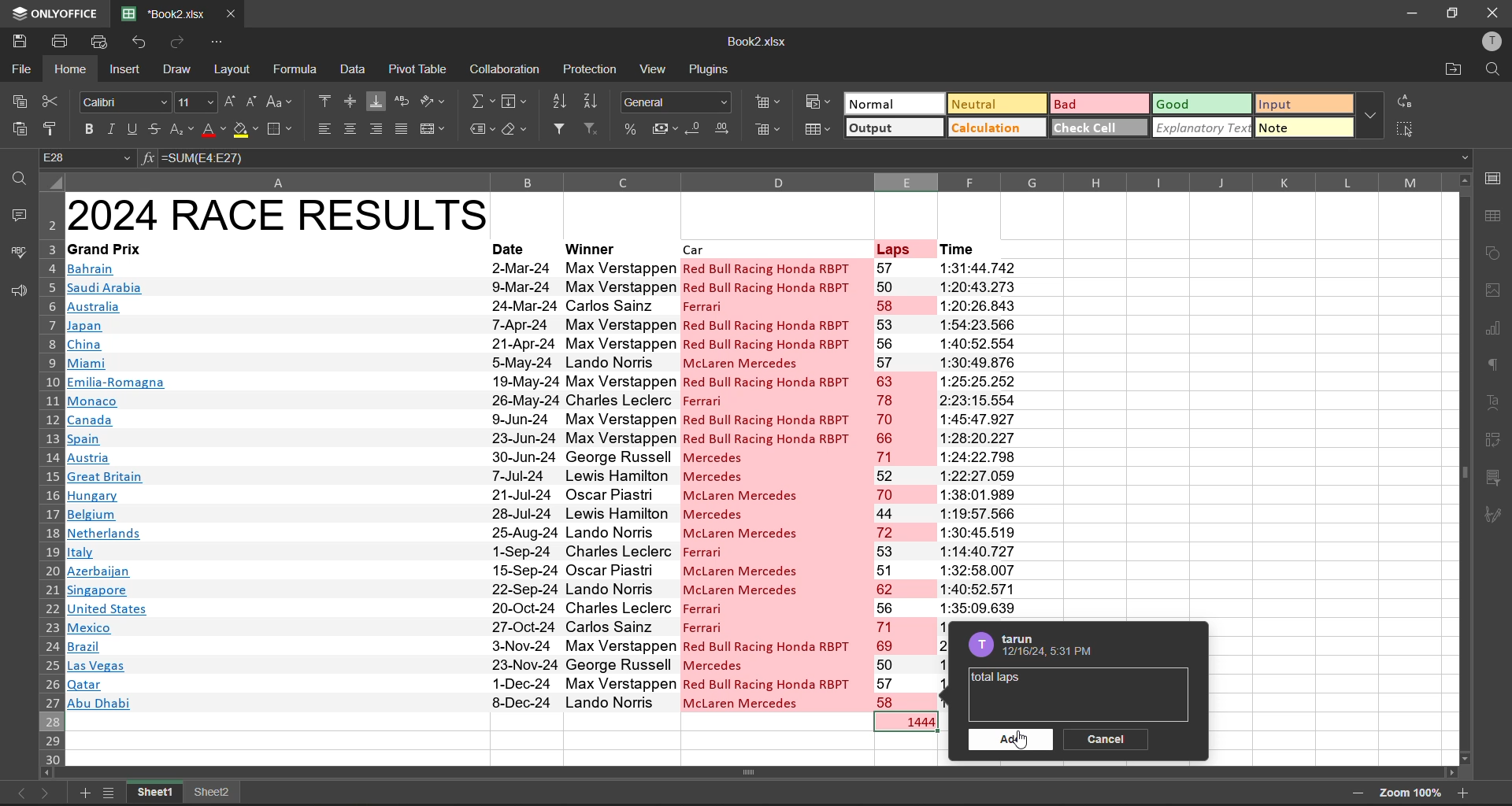  What do you see at coordinates (561, 102) in the screenshot?
I see `sort ascending` at bounding box center [561, 102].